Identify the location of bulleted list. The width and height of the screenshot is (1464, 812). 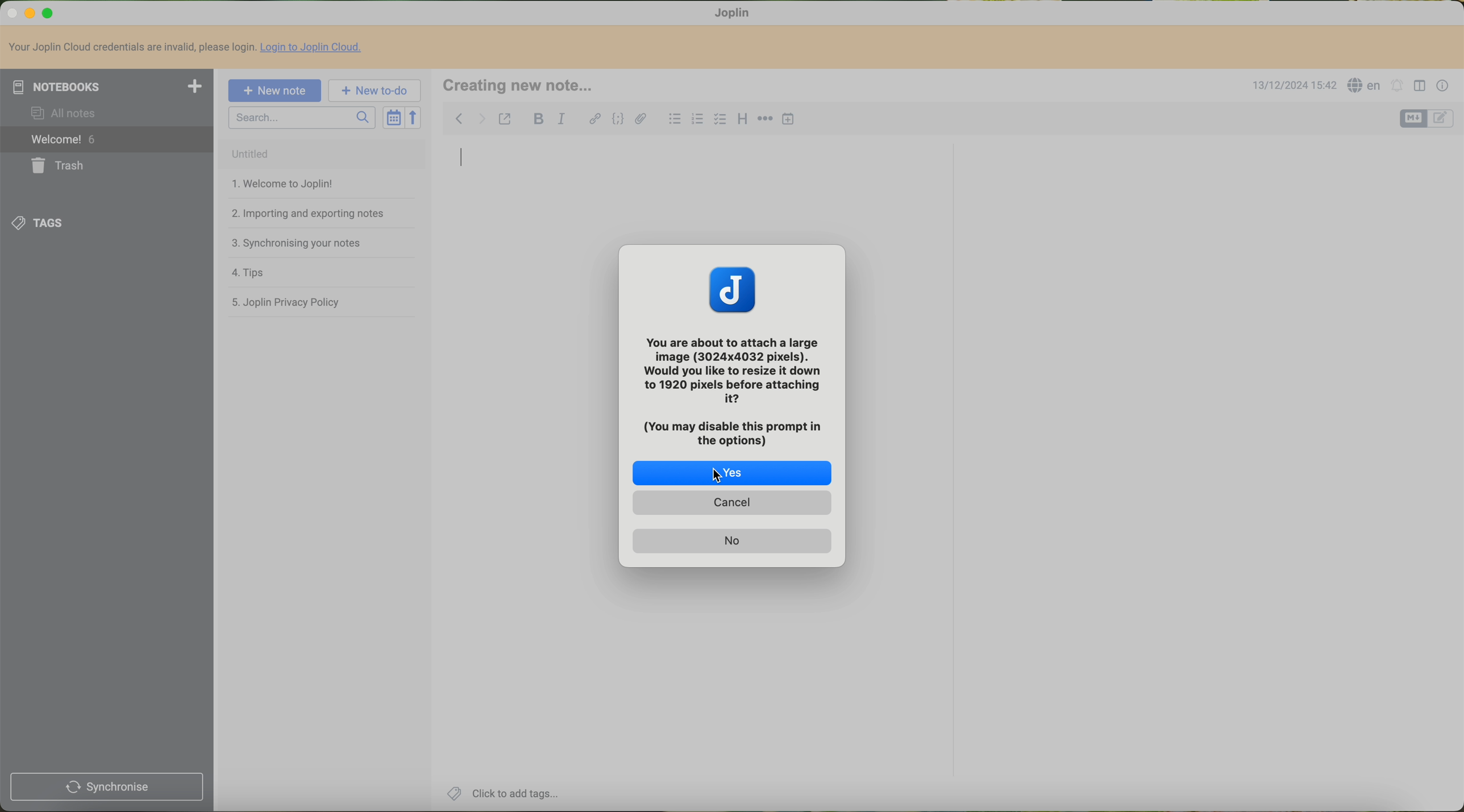
(675, 118).